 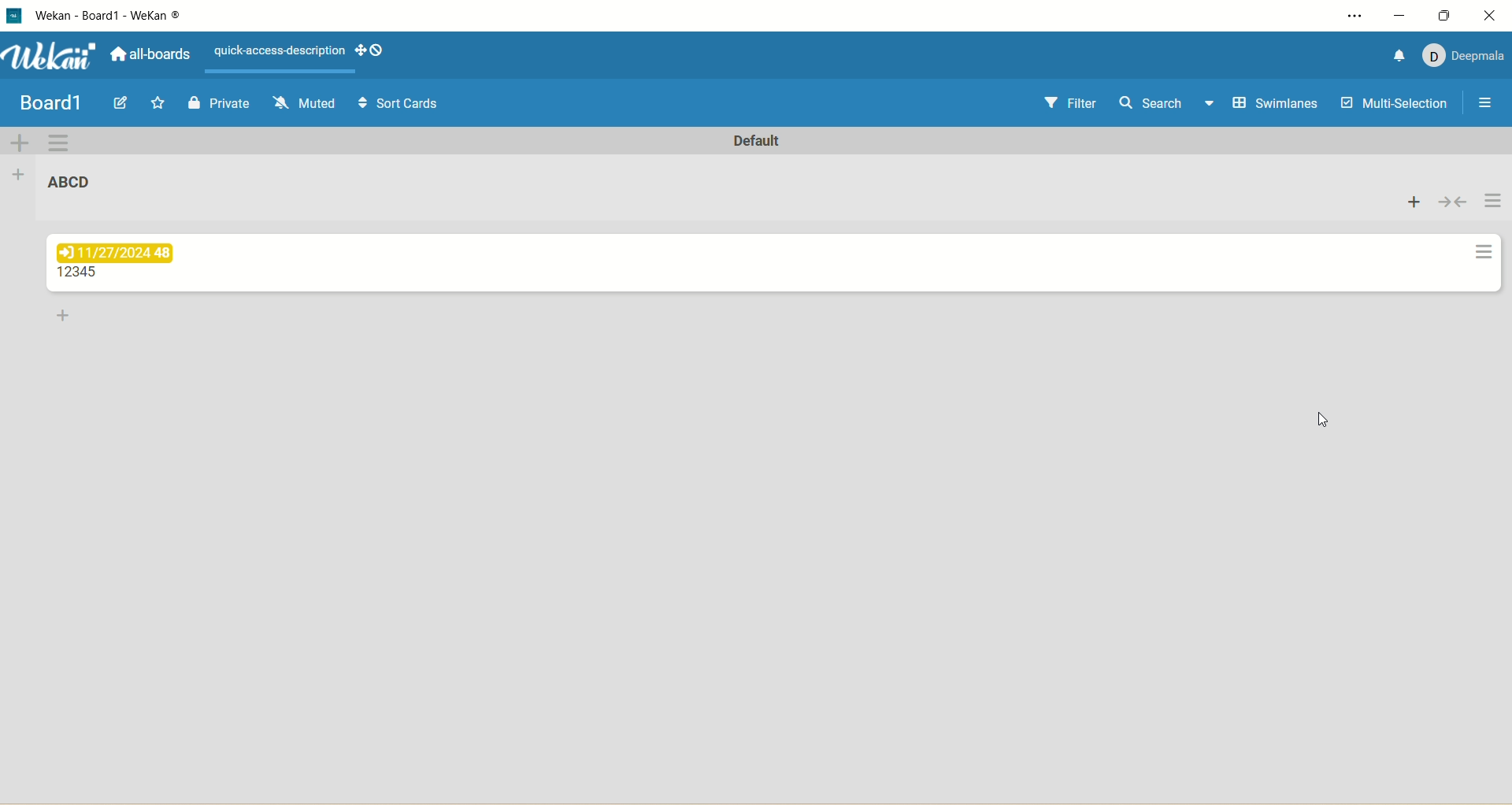 What do you see at coordinates (1447, 15) in the screenshot?
I see `maximize` at bounding box center [1447, 15].